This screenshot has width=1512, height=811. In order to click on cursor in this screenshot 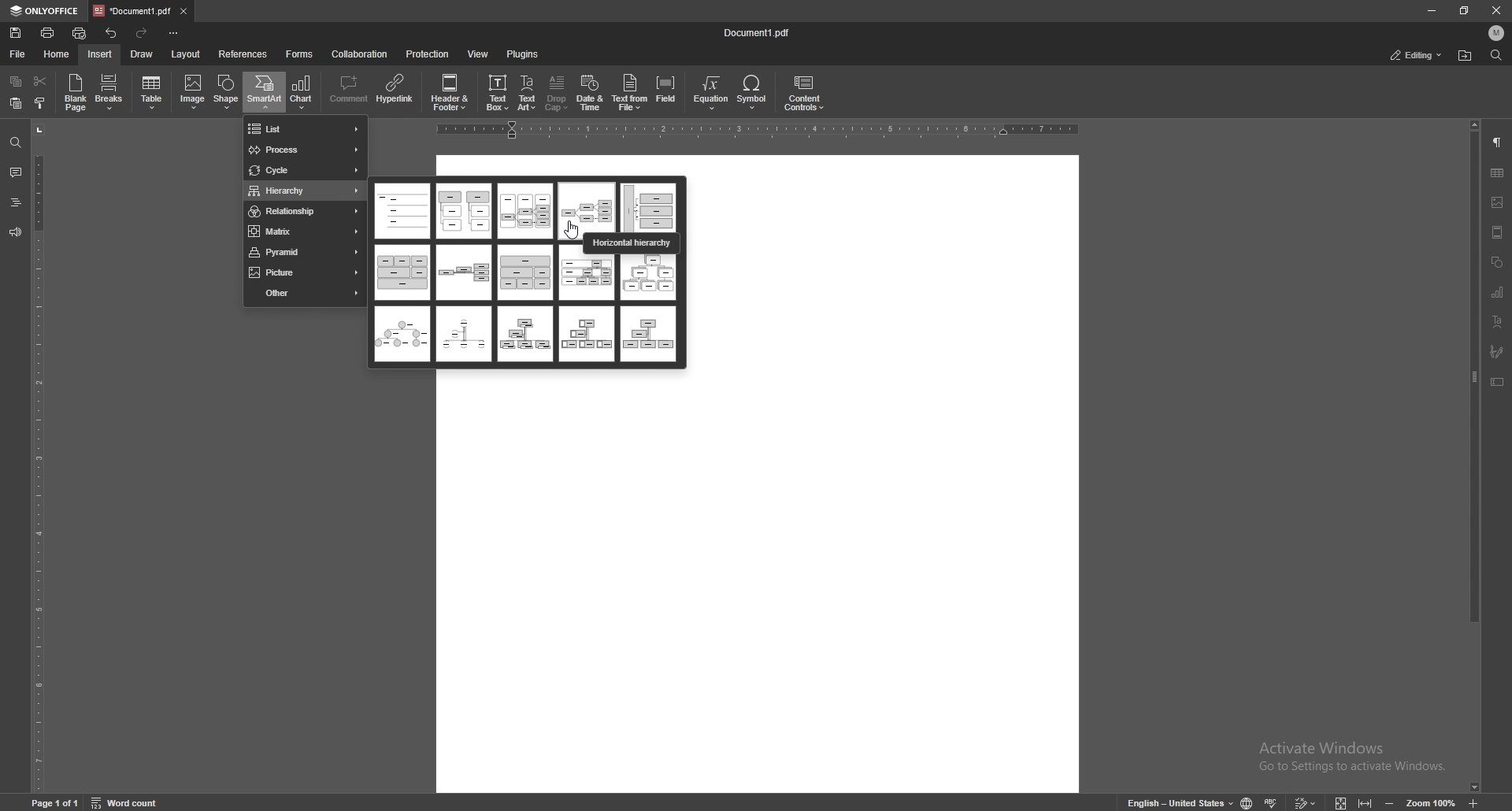, I will do `click(575, 231)`.